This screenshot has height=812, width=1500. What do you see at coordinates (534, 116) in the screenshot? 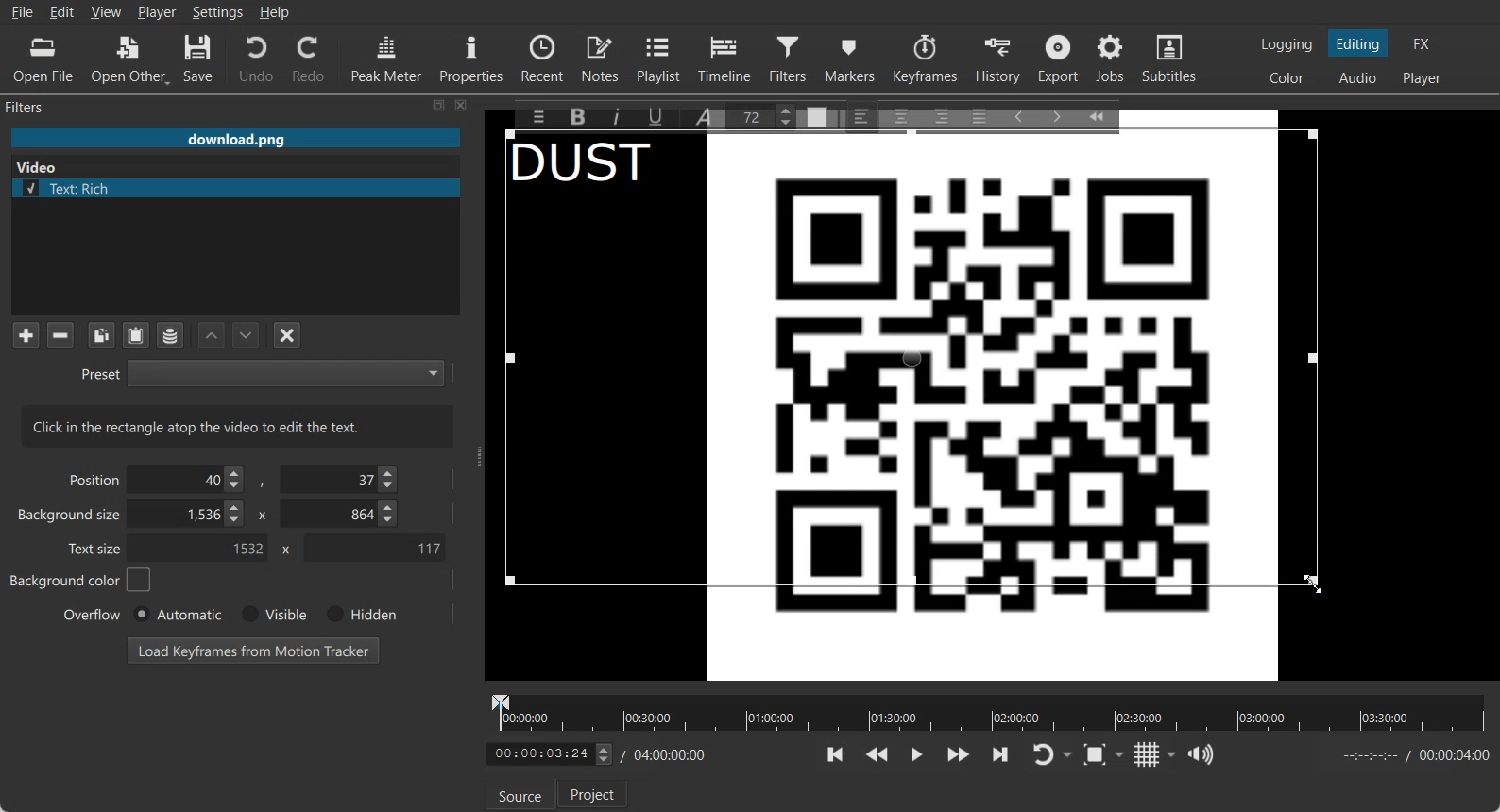
I see `Menu` at bounding box center [534, 116].